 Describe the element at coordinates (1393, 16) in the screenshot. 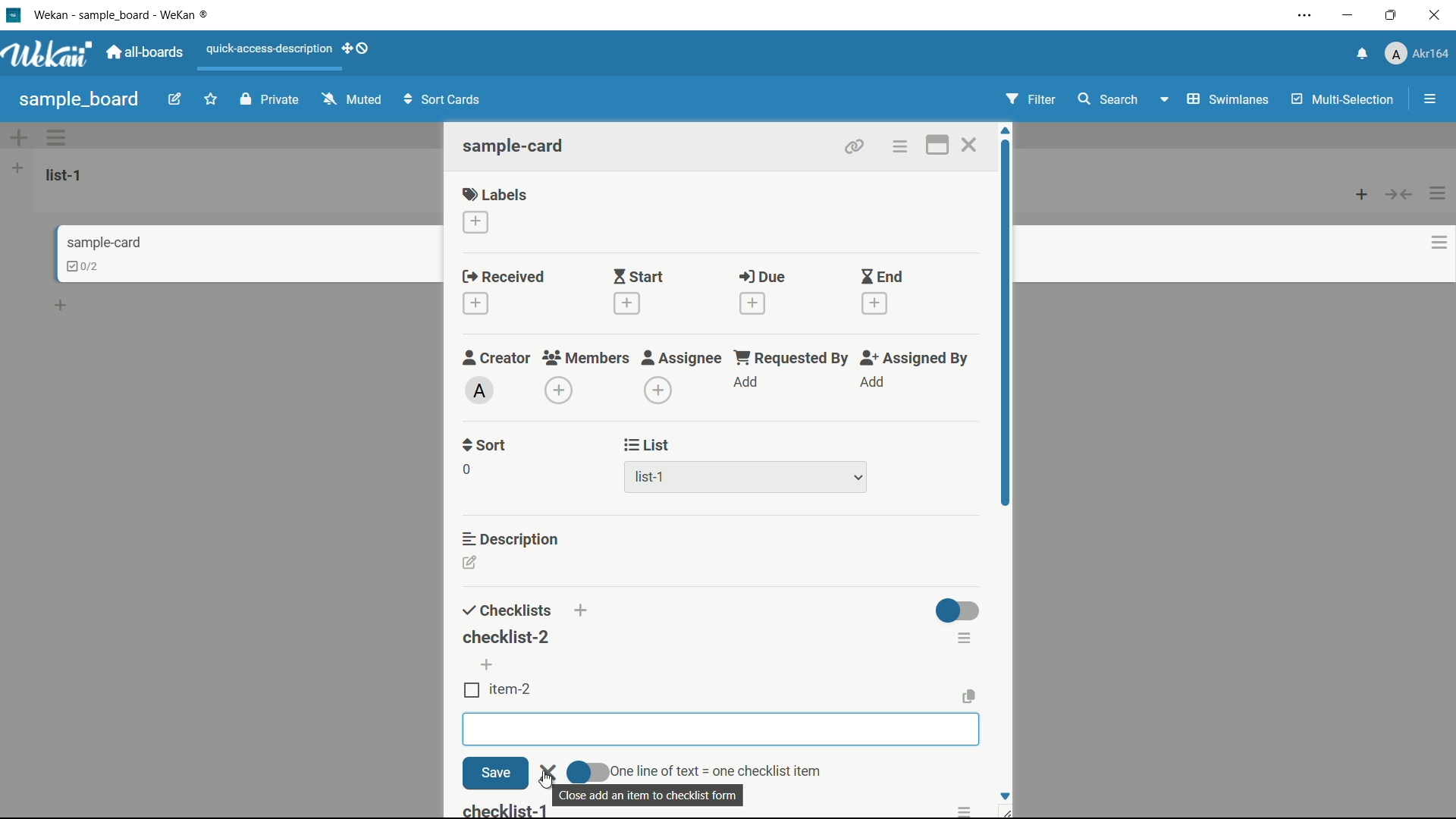

I see `maximize` at that location.